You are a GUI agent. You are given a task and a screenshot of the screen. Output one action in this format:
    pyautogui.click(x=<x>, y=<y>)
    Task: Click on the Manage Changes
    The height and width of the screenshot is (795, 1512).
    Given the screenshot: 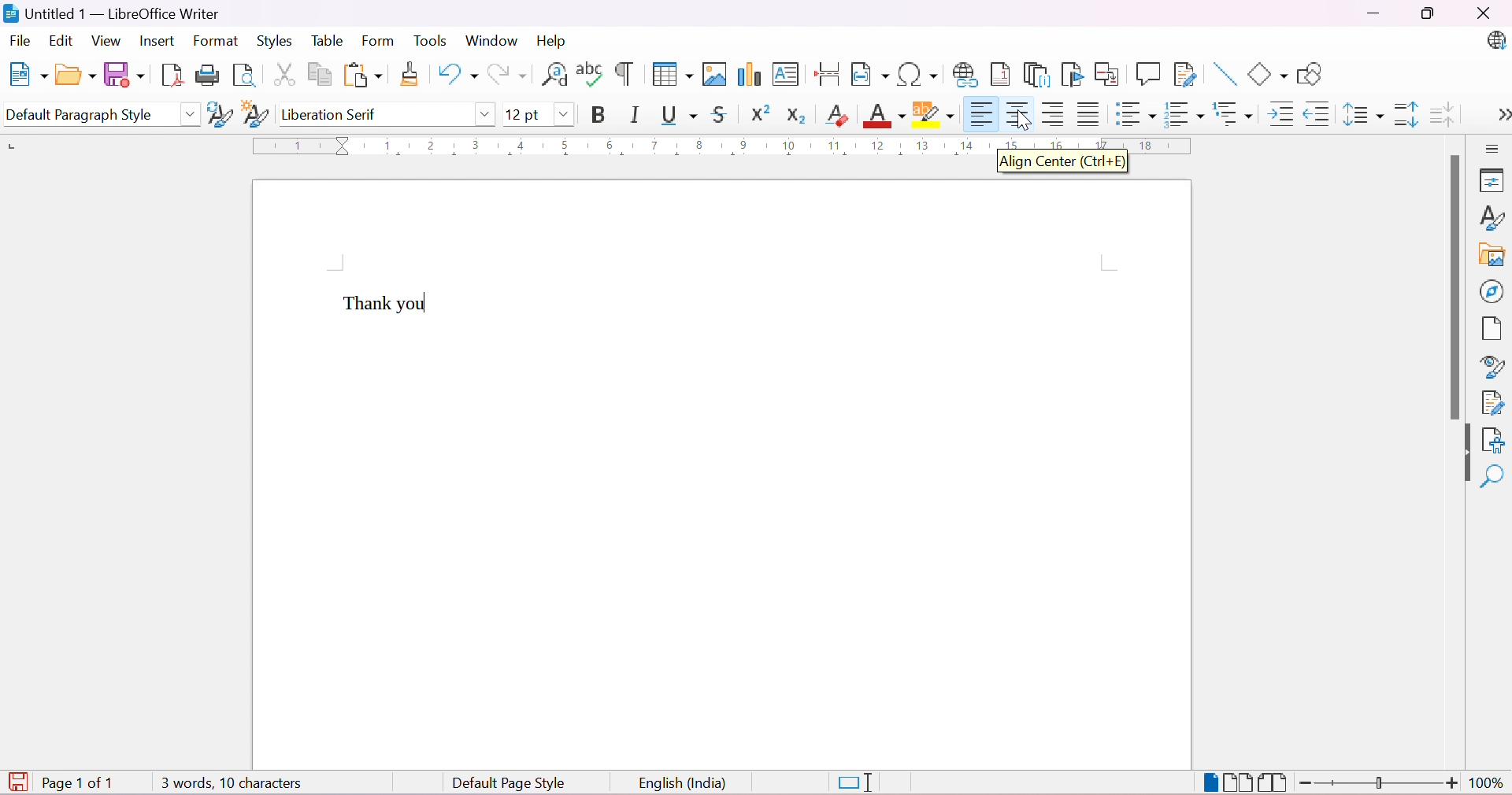 What is the action you would take?
    pyautogui.click(x=1492, y=403)
    